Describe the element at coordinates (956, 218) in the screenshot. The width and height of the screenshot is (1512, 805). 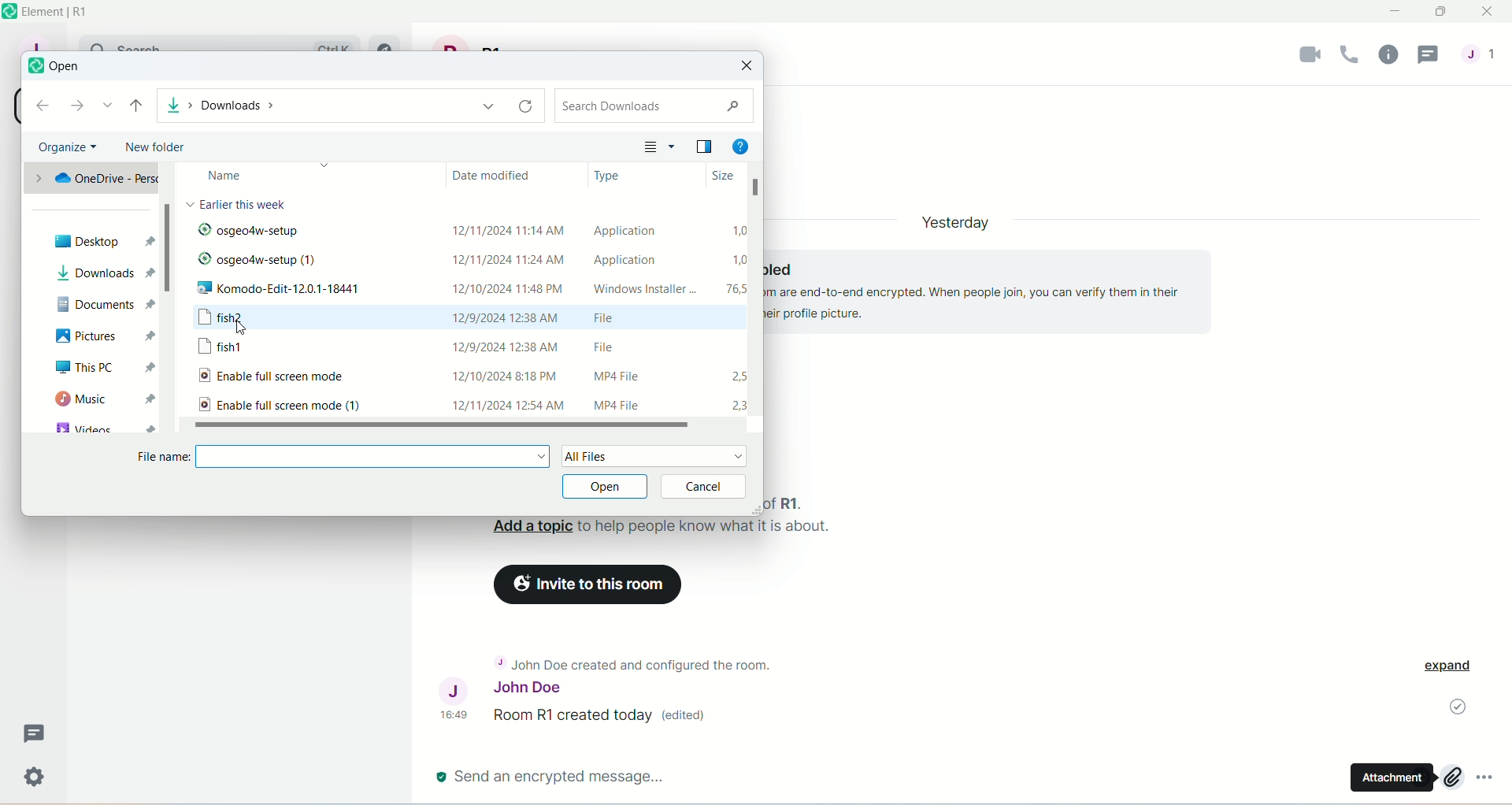
I see `Yesterday` at that location.